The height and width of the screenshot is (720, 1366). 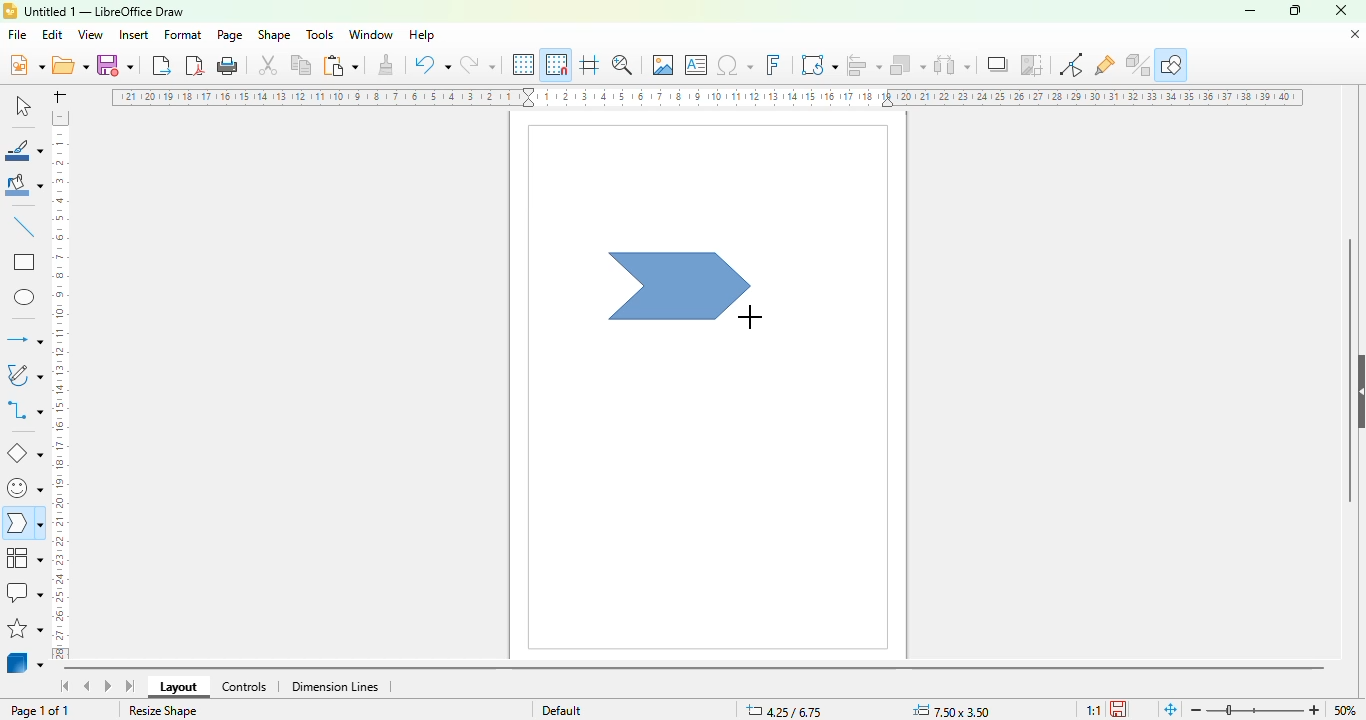 What do you see at coordinates (229, 35) in the screenshot?
I see `page` at bounding box center [229, 35].